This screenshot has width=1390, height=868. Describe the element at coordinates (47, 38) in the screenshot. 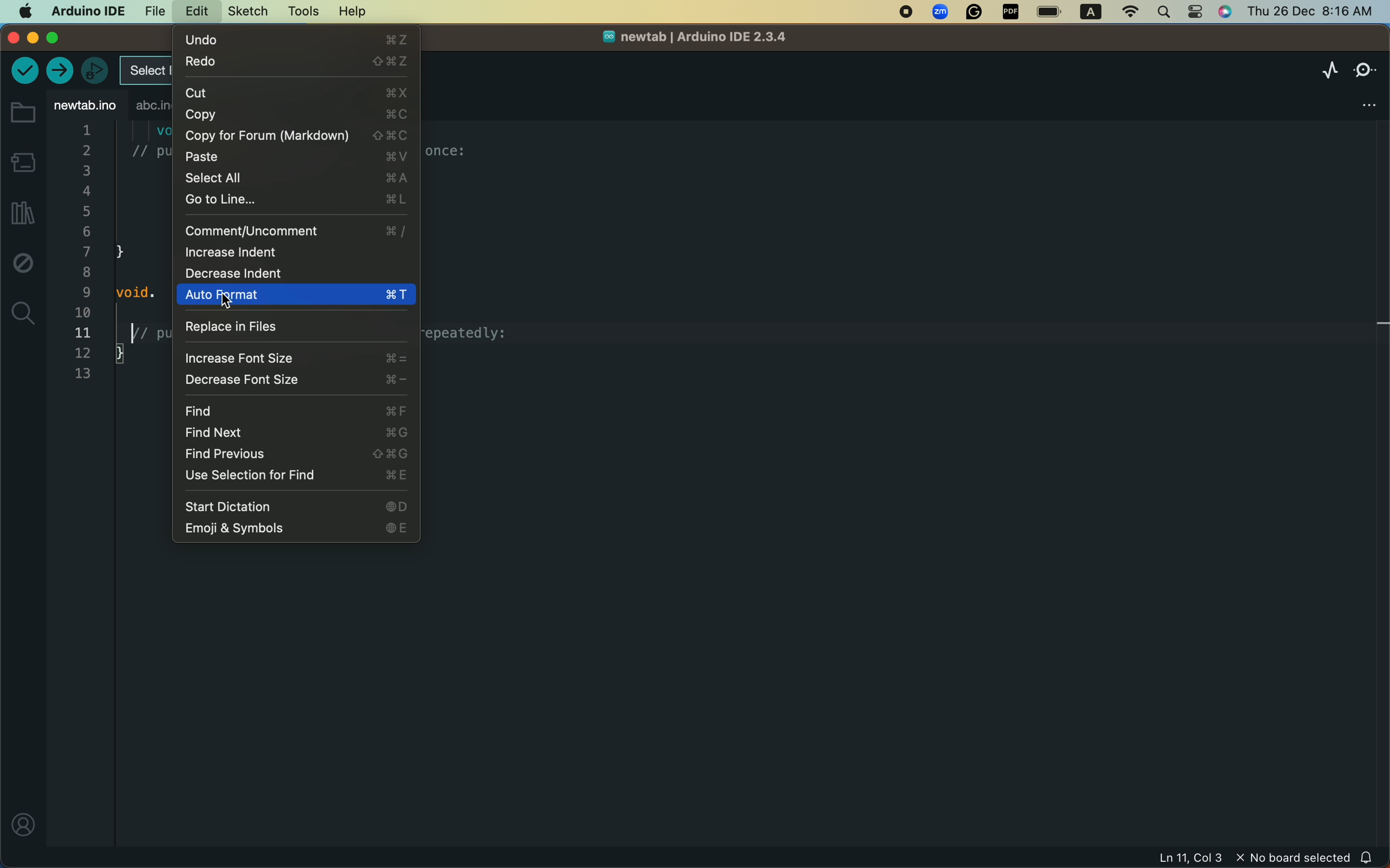

I see `window control` at that location.